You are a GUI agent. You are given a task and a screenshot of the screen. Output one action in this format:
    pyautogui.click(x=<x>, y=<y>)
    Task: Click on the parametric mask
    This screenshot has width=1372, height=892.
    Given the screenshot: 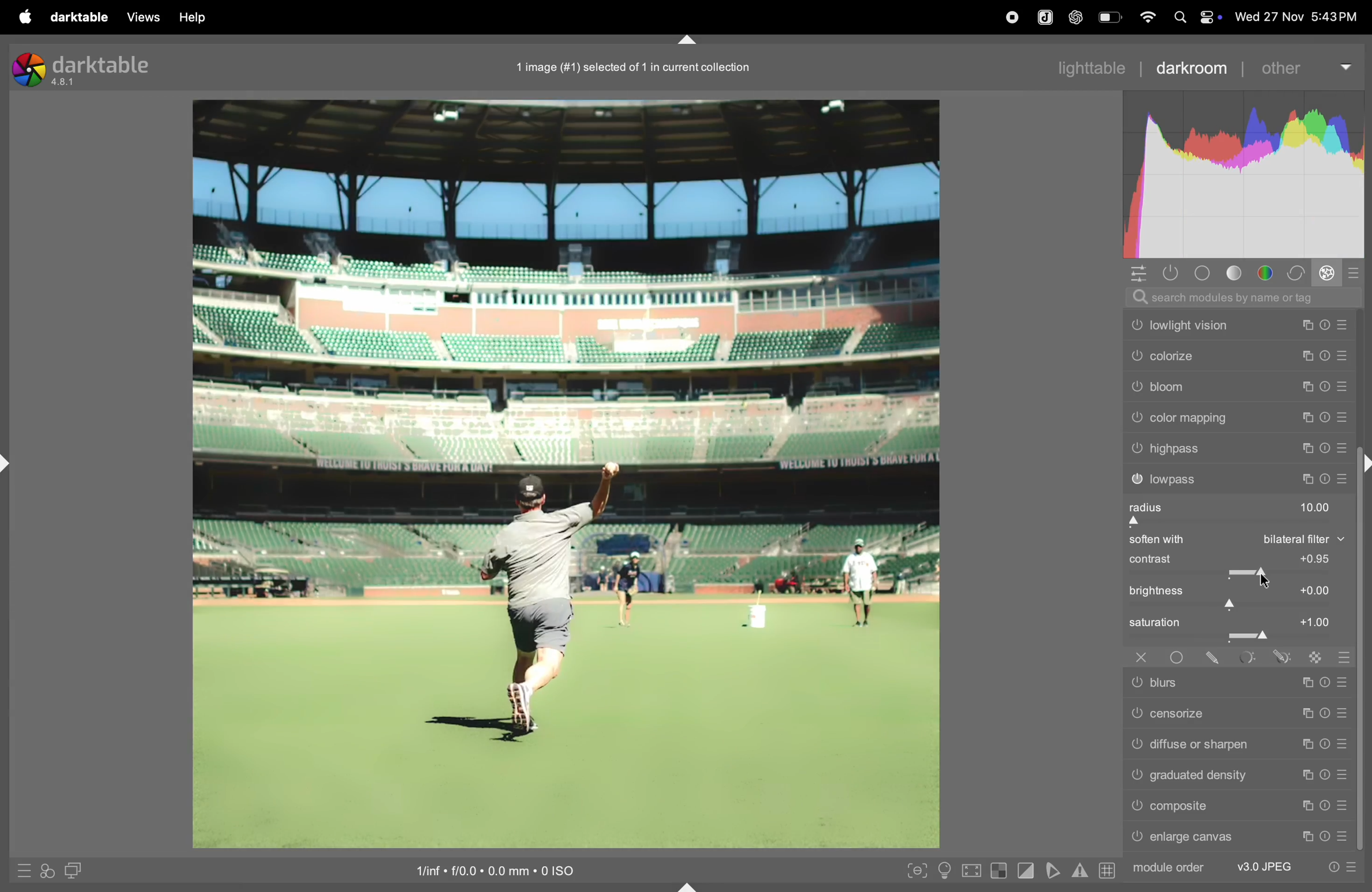 What is the action you would take?
    pyautogui.click(x=1246, y=659)
    